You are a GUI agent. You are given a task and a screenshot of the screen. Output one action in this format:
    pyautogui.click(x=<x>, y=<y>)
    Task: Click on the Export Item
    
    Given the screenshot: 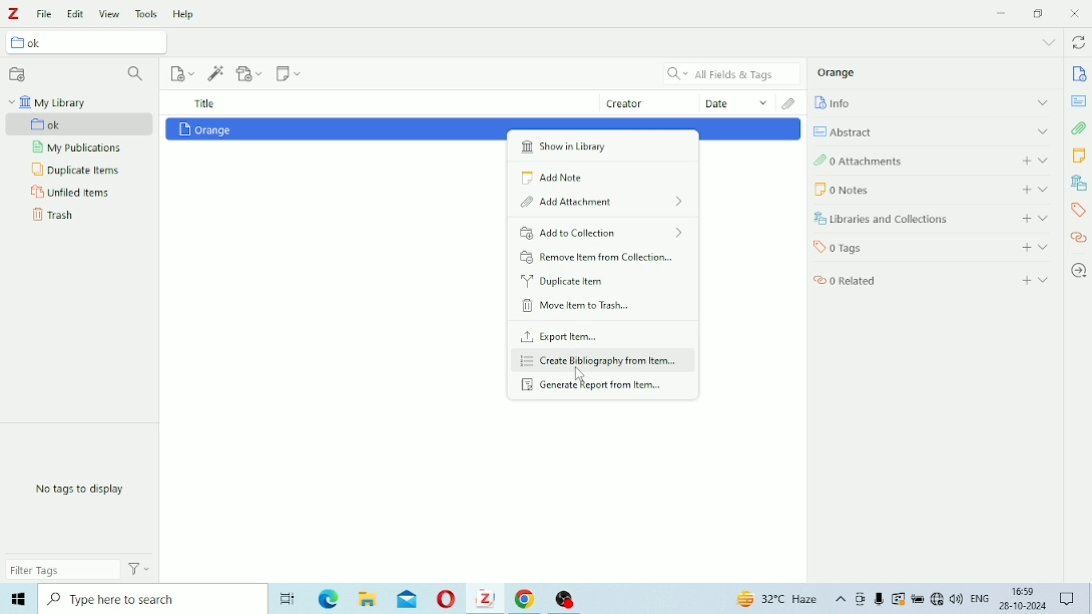 What is the action you would take?
    pyautogui.click(x=562, y=335)
    